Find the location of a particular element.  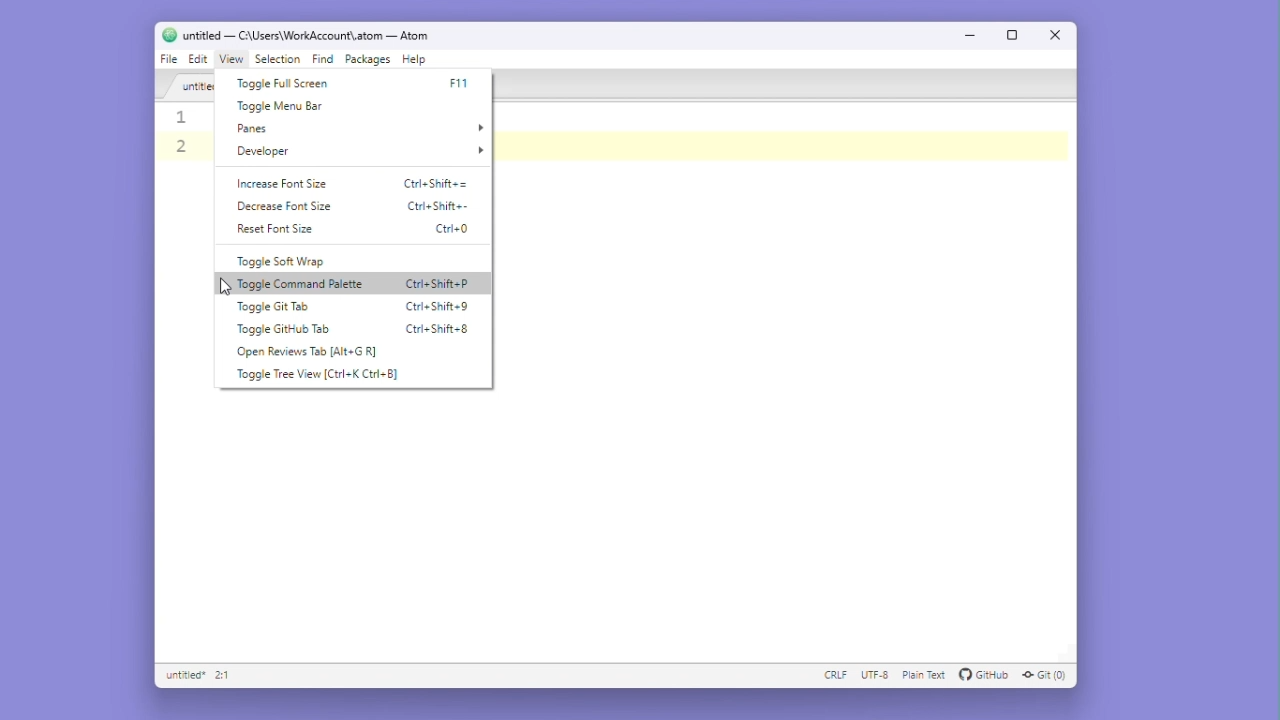

ctrl+shift+= is located at coordinates (438, 183).